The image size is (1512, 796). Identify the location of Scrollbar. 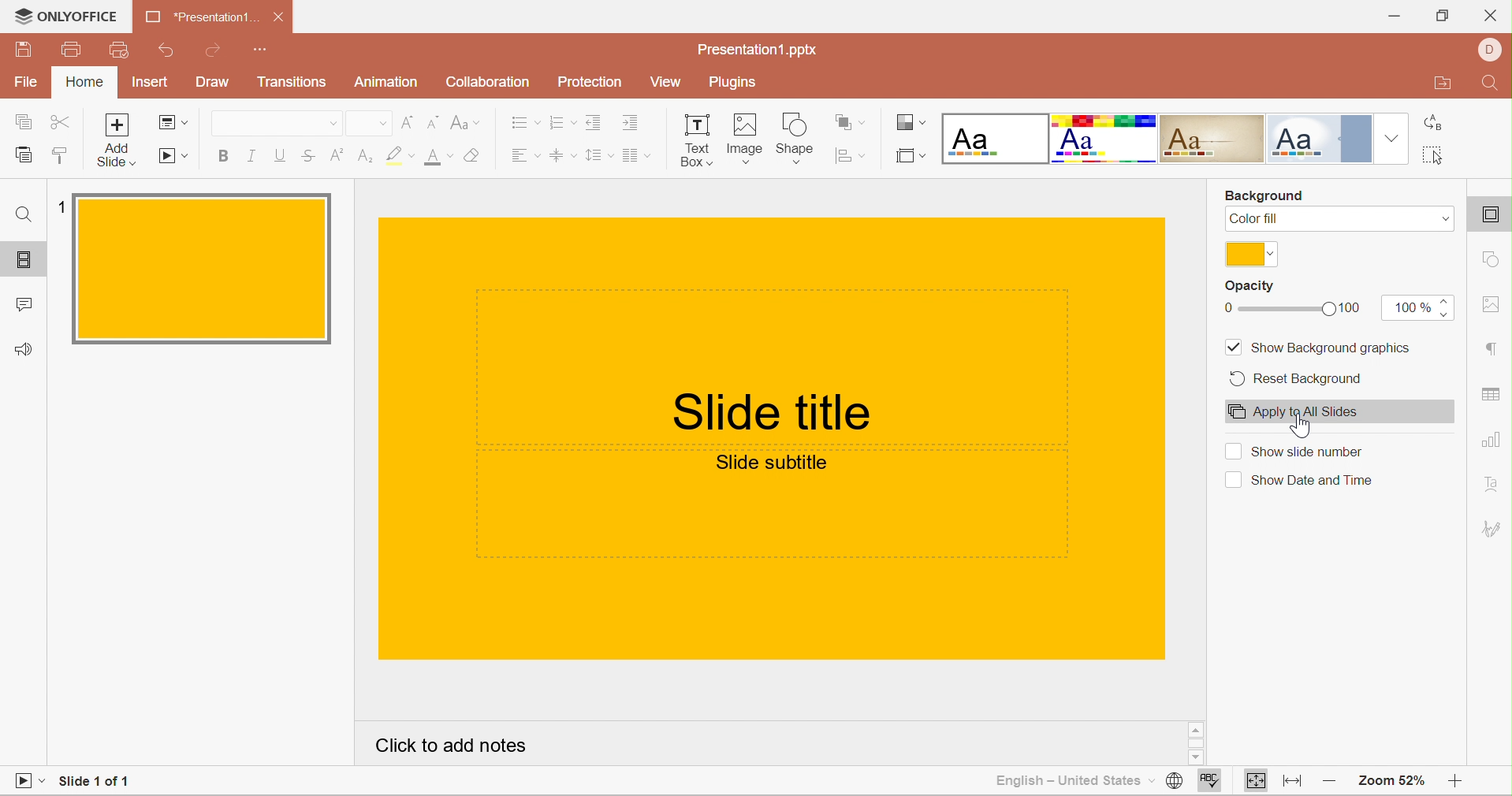
(1195, 741).